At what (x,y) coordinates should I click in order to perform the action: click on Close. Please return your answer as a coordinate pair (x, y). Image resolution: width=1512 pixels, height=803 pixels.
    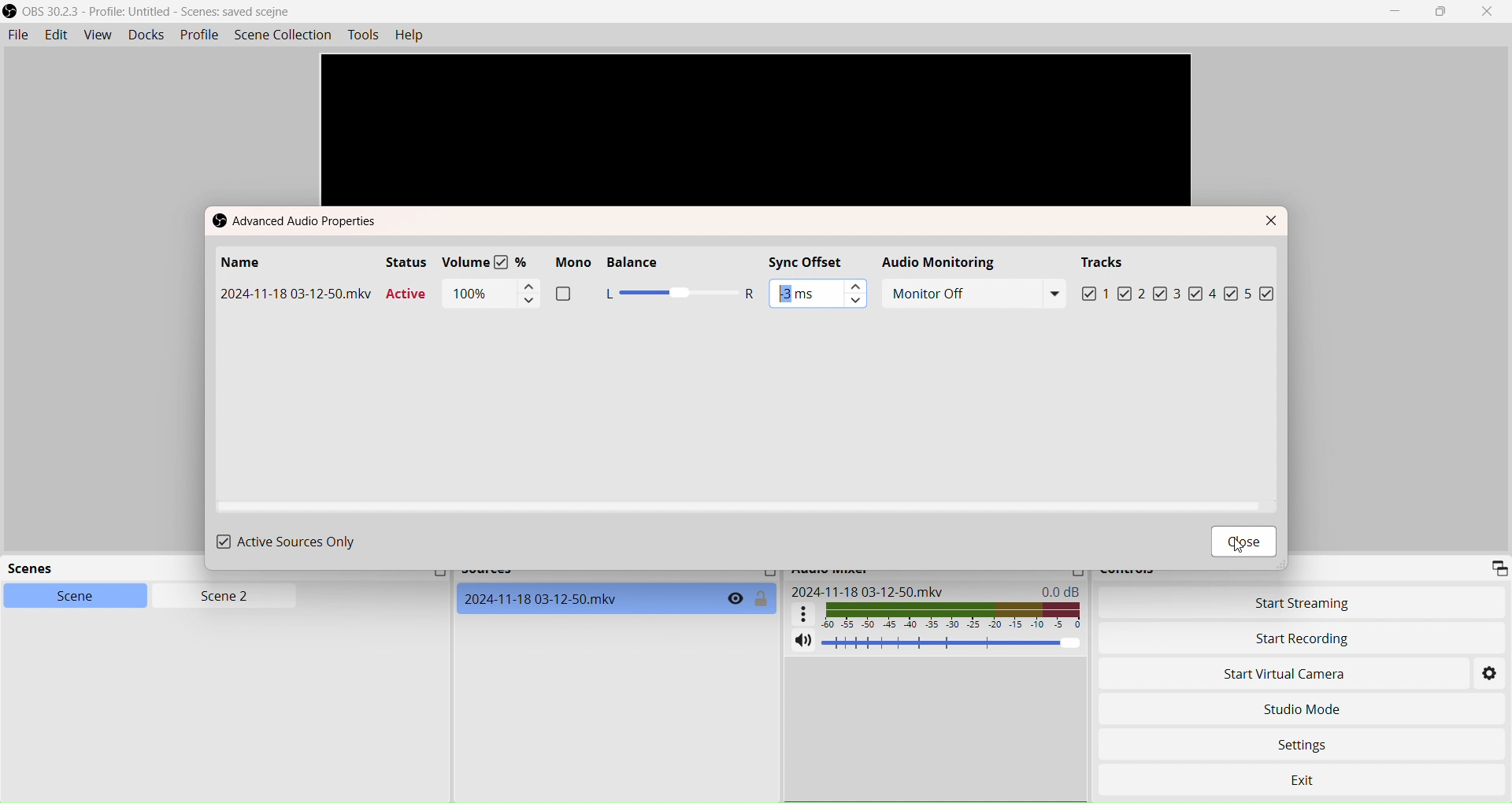
    Looking at the image, I should click on (1273, 220).